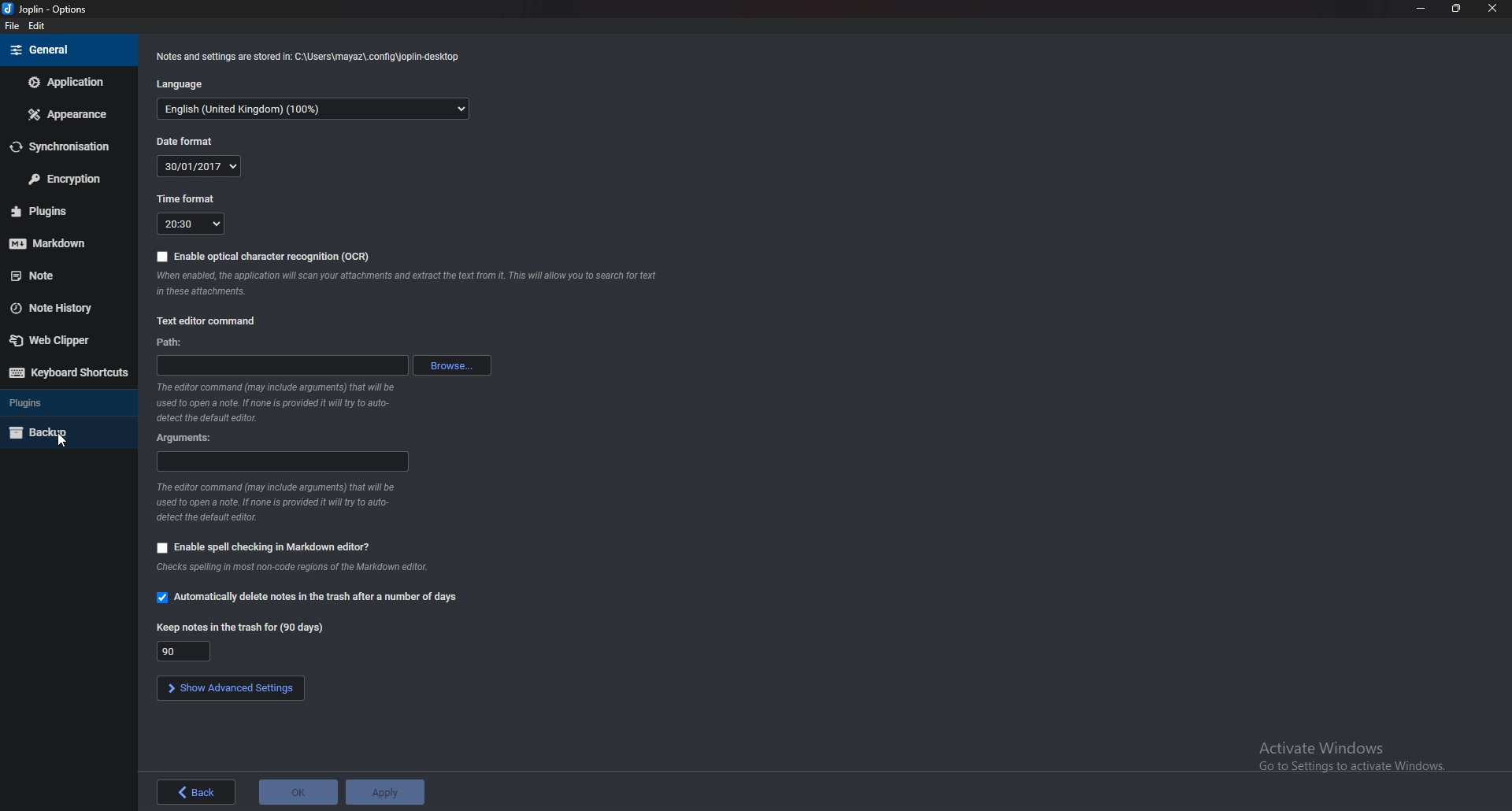 The height and width of the screenshot is (811, 1512). What do you see at coordinates (265, 546) in the screenshot?
I see `Enable spell checking` at bounding box center [265, 546].